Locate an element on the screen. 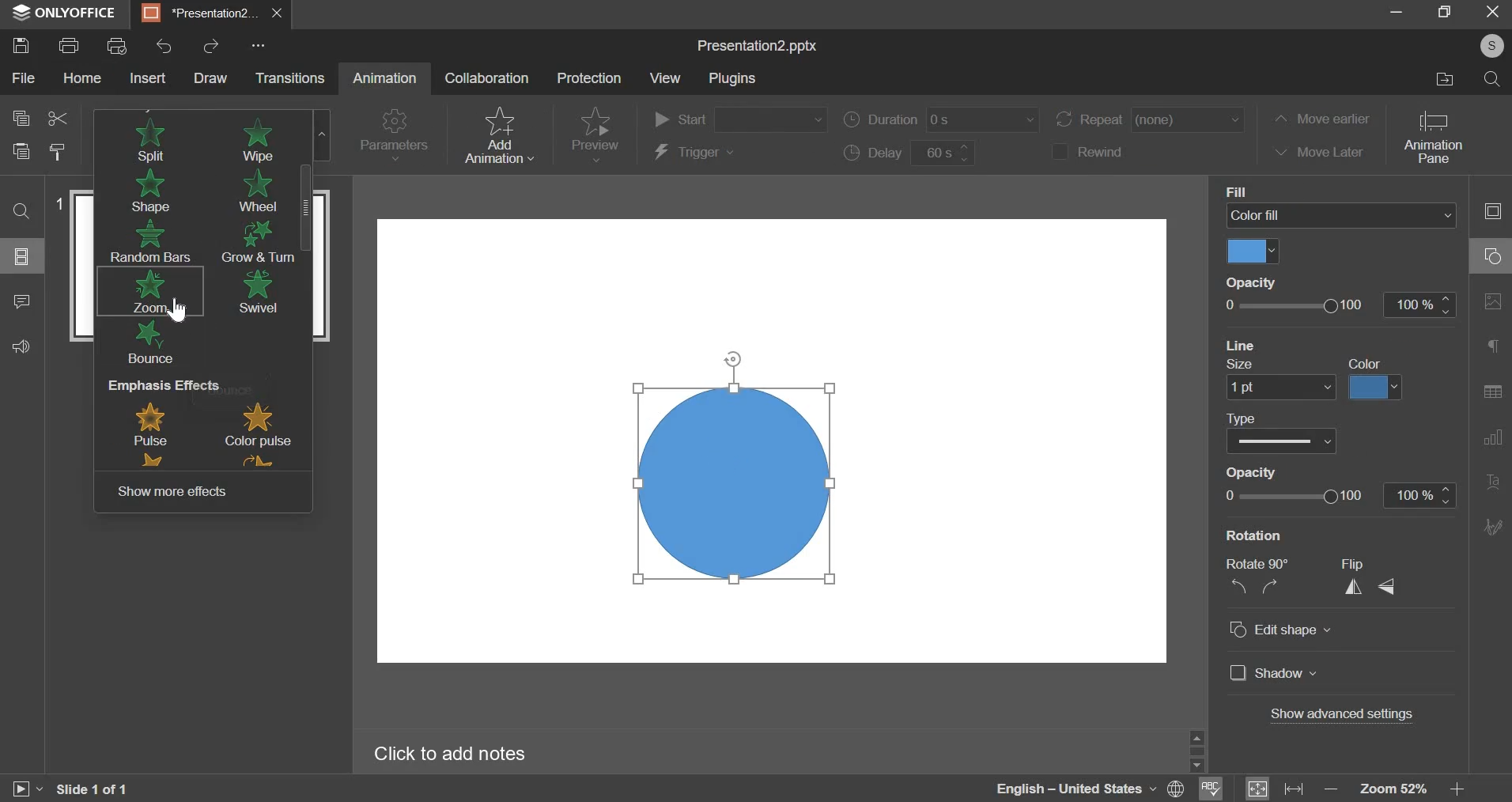 The height and width of the screenshot is (802, 1512). fit is located at coordinates (1275, 788).